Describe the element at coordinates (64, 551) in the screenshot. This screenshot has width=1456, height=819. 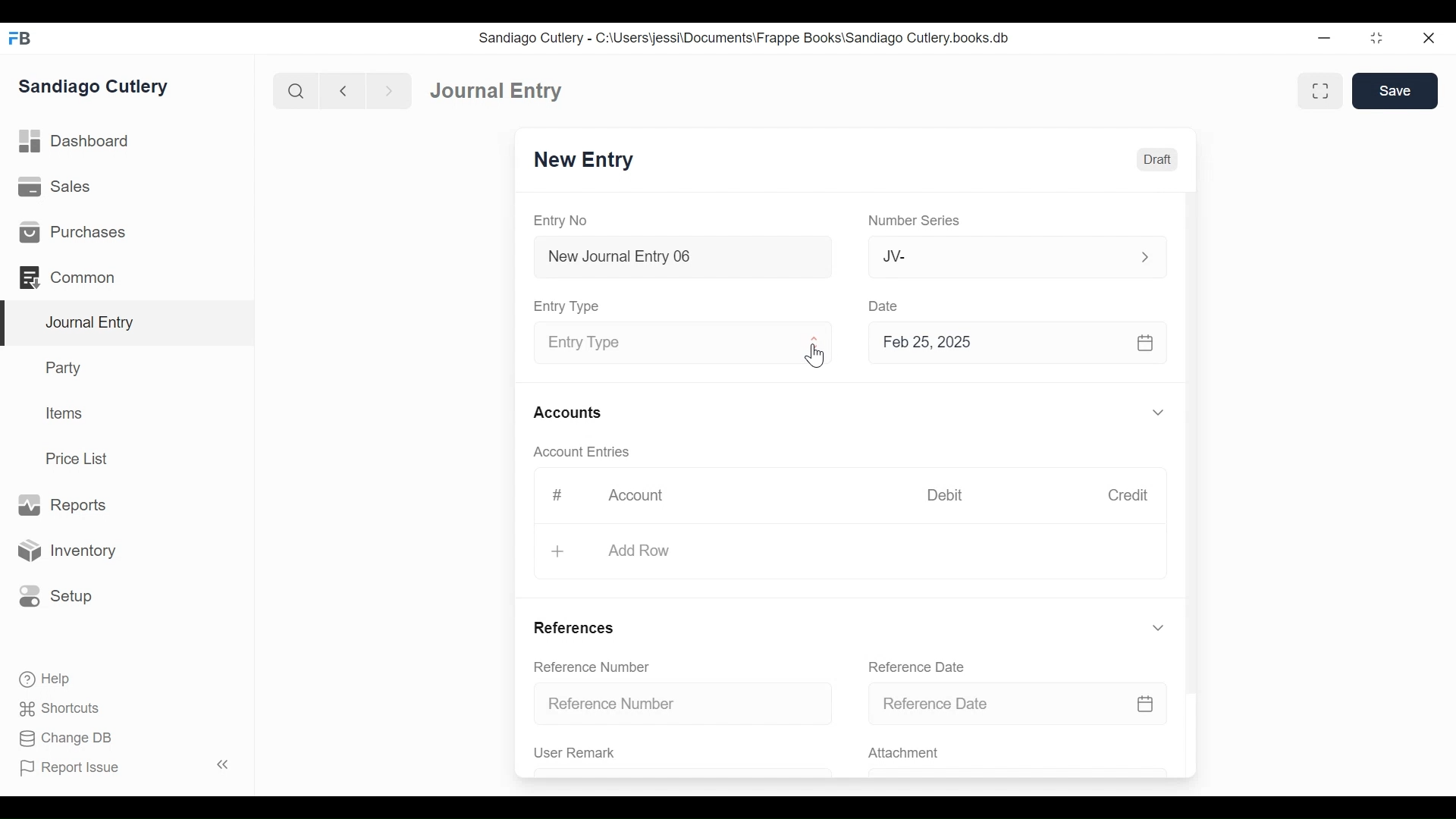
I see `Inventory` at that location.